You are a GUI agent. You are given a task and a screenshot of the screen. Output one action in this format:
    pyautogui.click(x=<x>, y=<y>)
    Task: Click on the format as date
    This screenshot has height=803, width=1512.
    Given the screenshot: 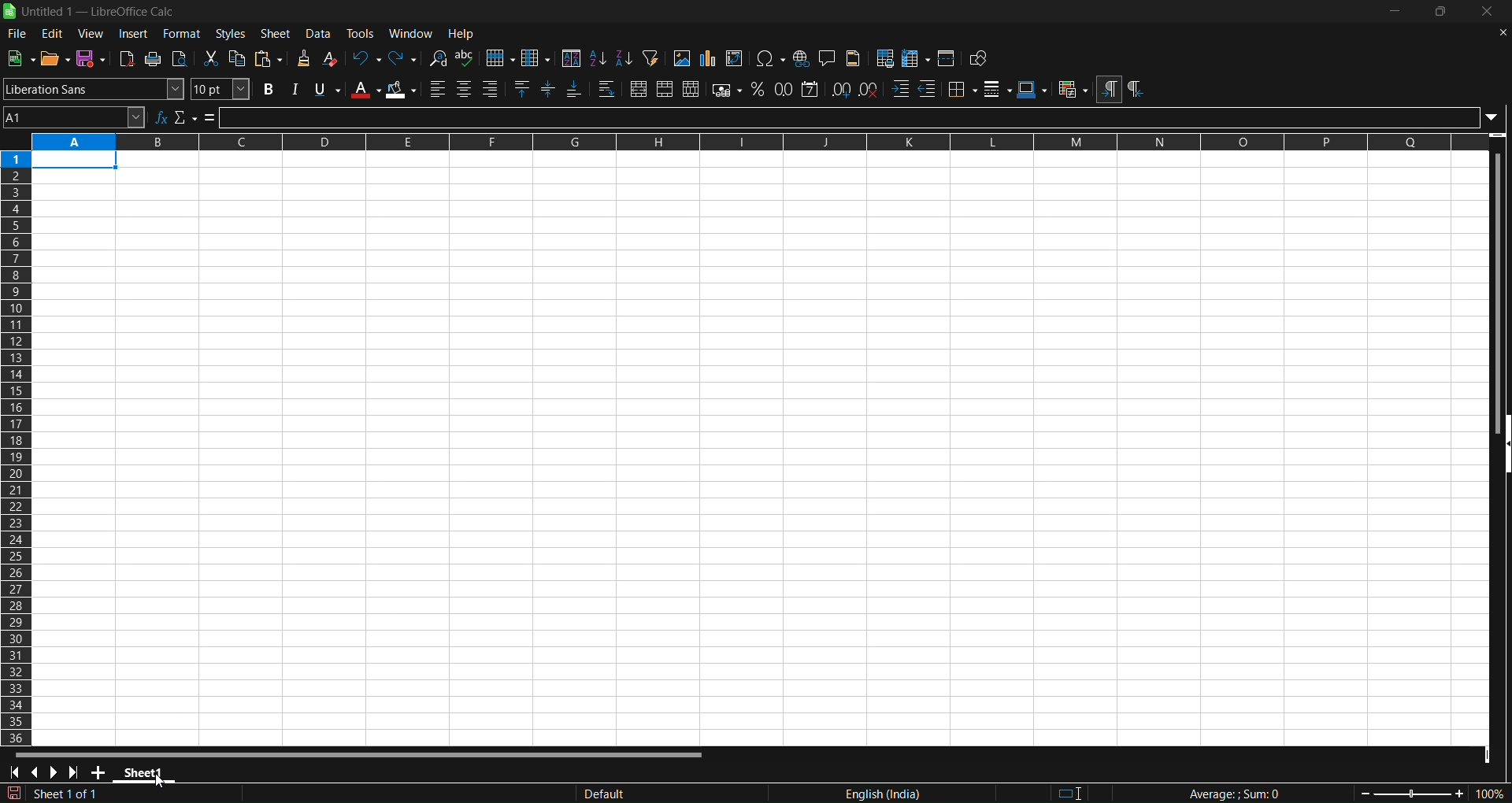 What is the action you would take?
    pyautogui.click(x=811, y=89)
    